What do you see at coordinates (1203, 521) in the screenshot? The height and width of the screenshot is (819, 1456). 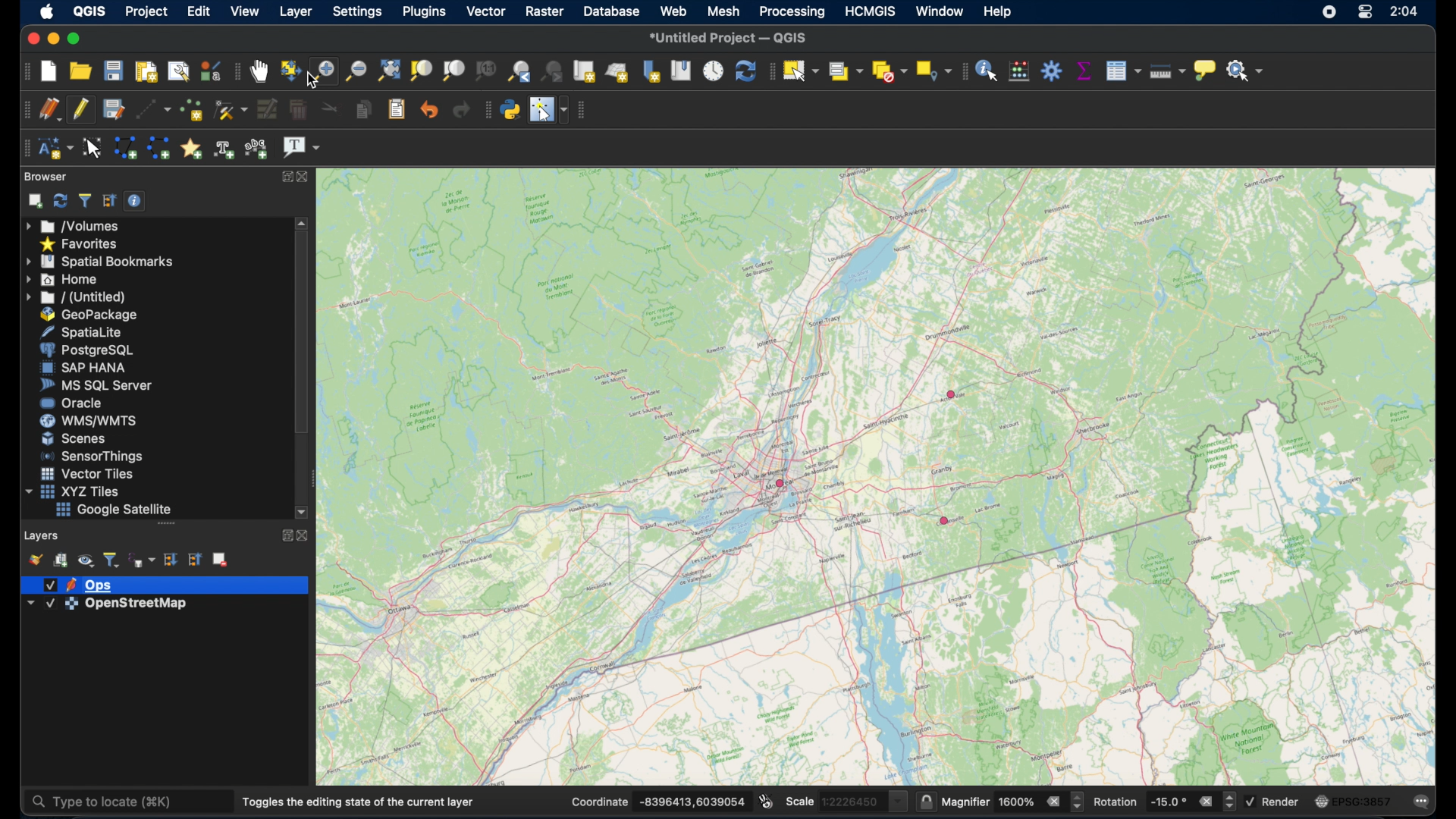 I see `open street map` at bounding box center [1203, 521].